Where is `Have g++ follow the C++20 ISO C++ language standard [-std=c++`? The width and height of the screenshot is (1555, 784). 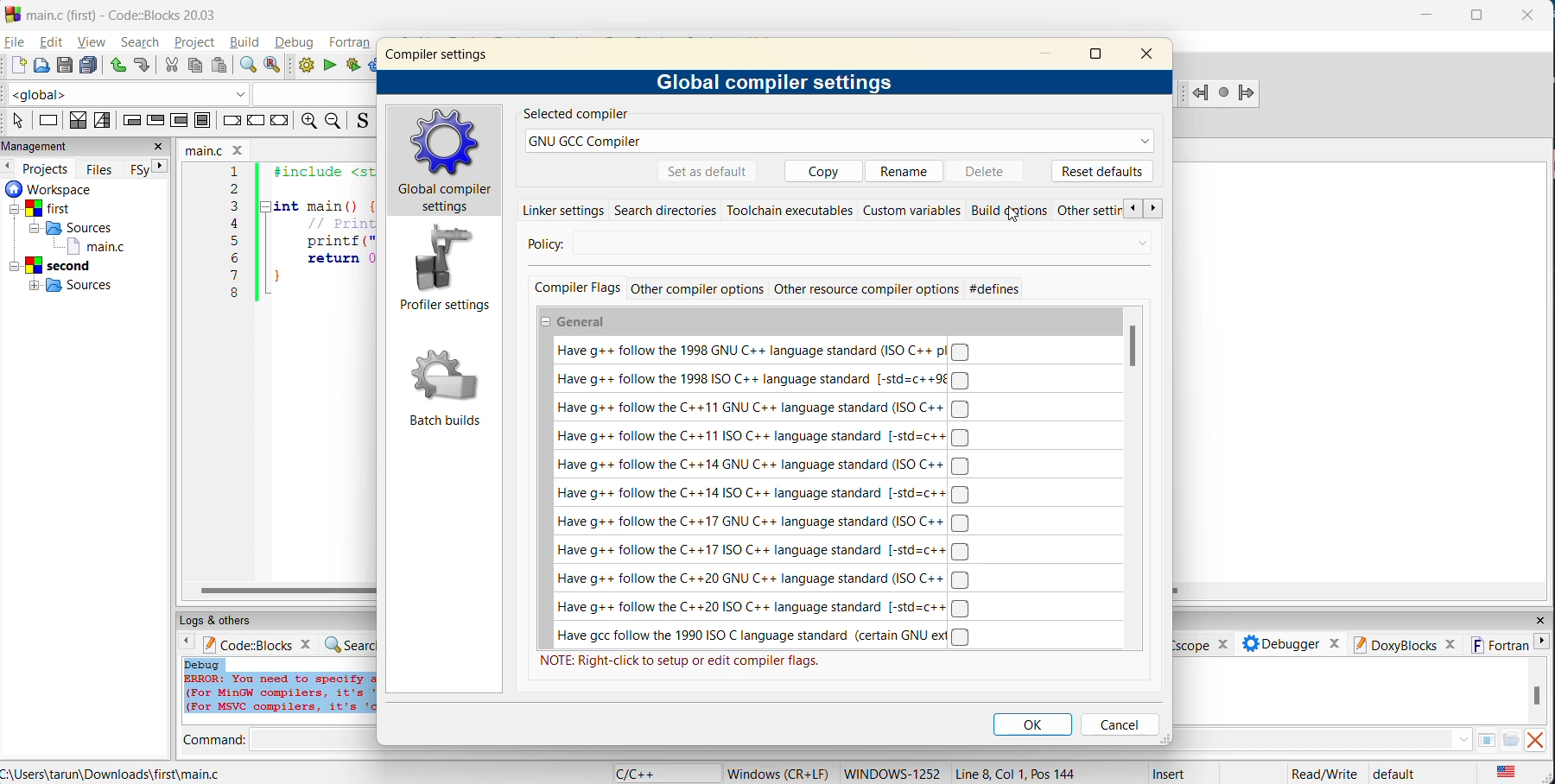
Have g++ follow the C++20 ISO C++ language standard [-std=c++ is located at coordinates (765, 608).